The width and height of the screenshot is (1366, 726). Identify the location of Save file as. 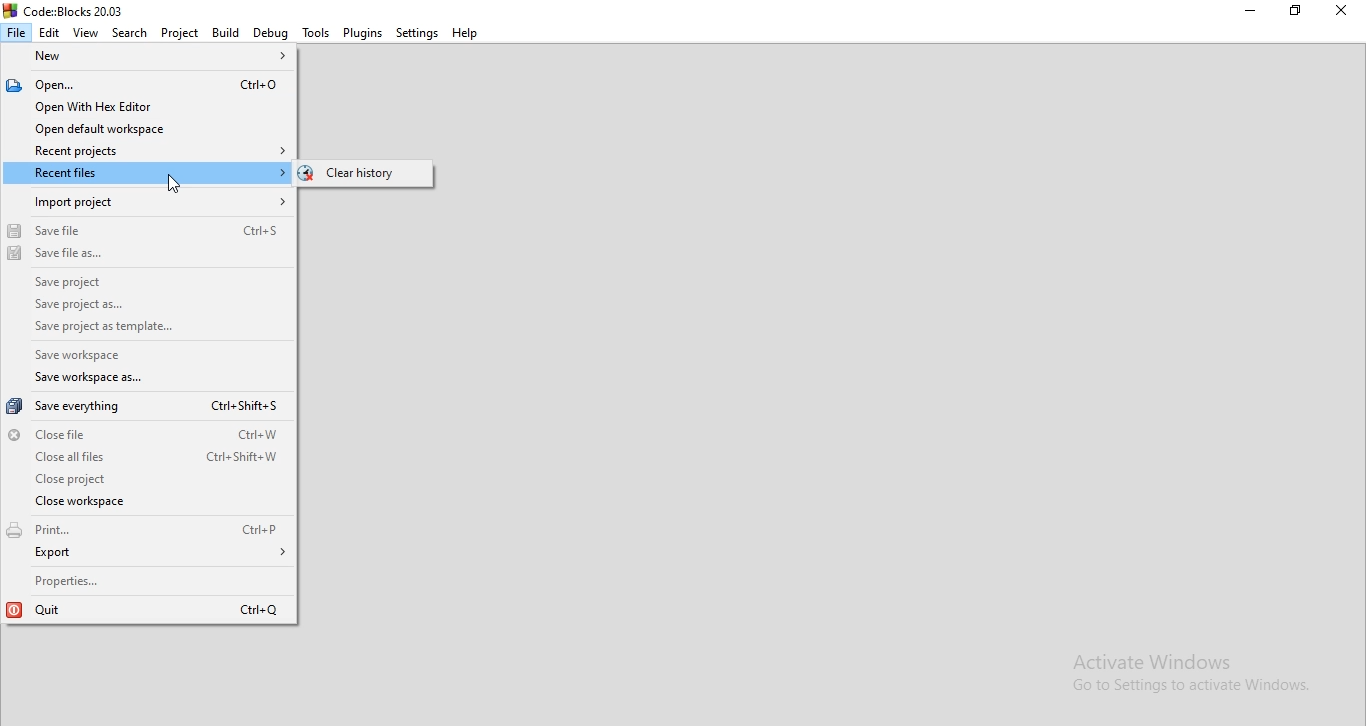
(150, 261).